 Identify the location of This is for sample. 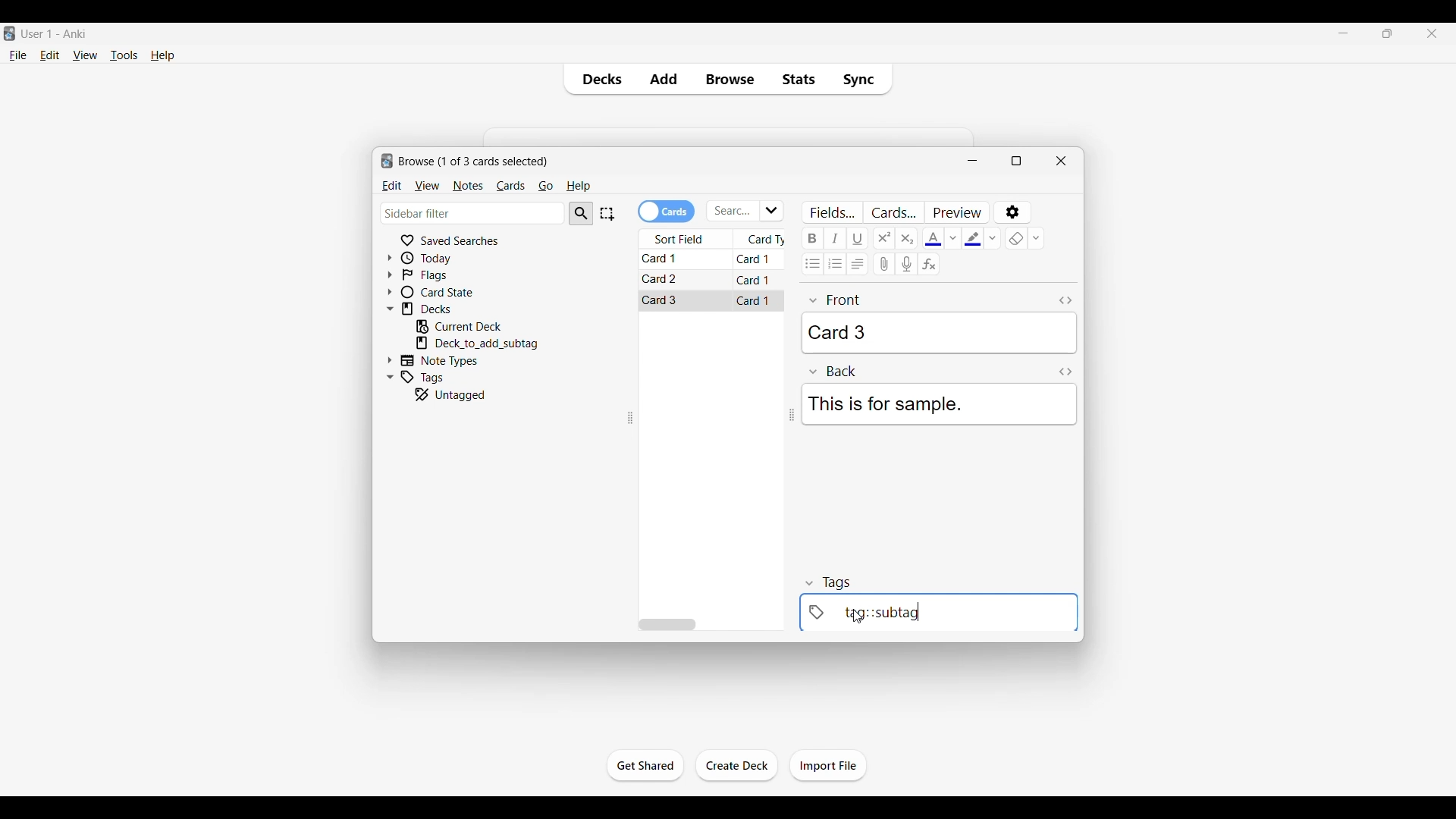
(938, 404).